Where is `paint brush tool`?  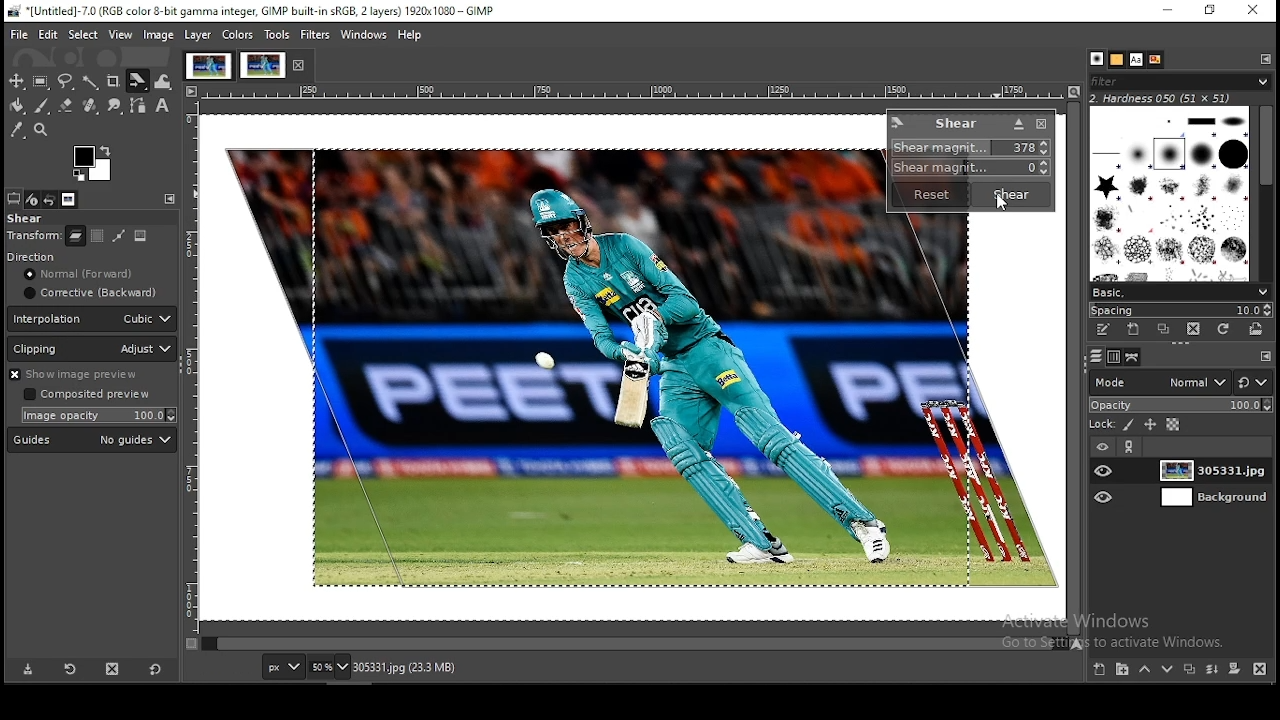 paint brush tool is located at coordinates (45, 107).